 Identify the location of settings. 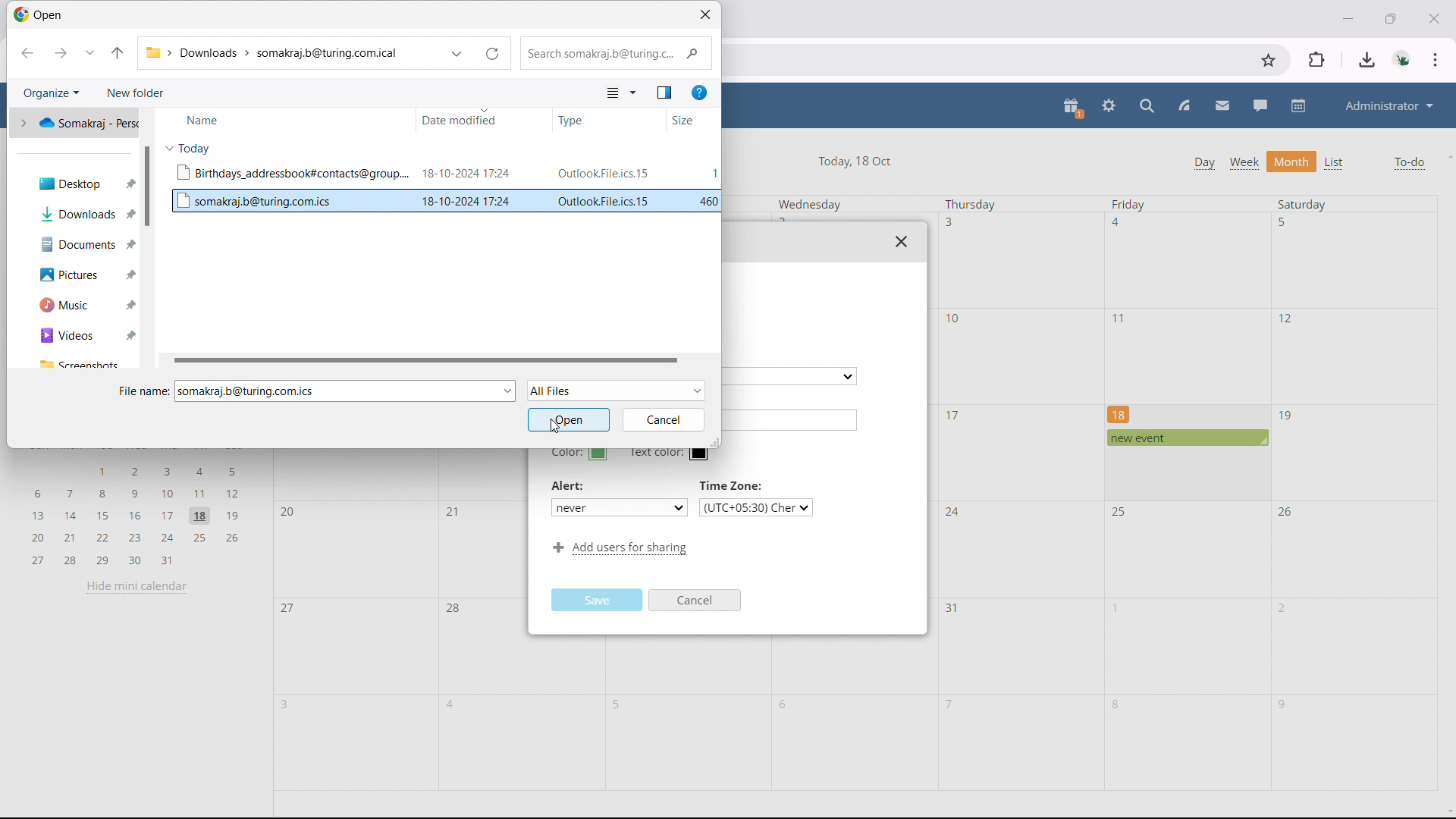
(1109, 107).